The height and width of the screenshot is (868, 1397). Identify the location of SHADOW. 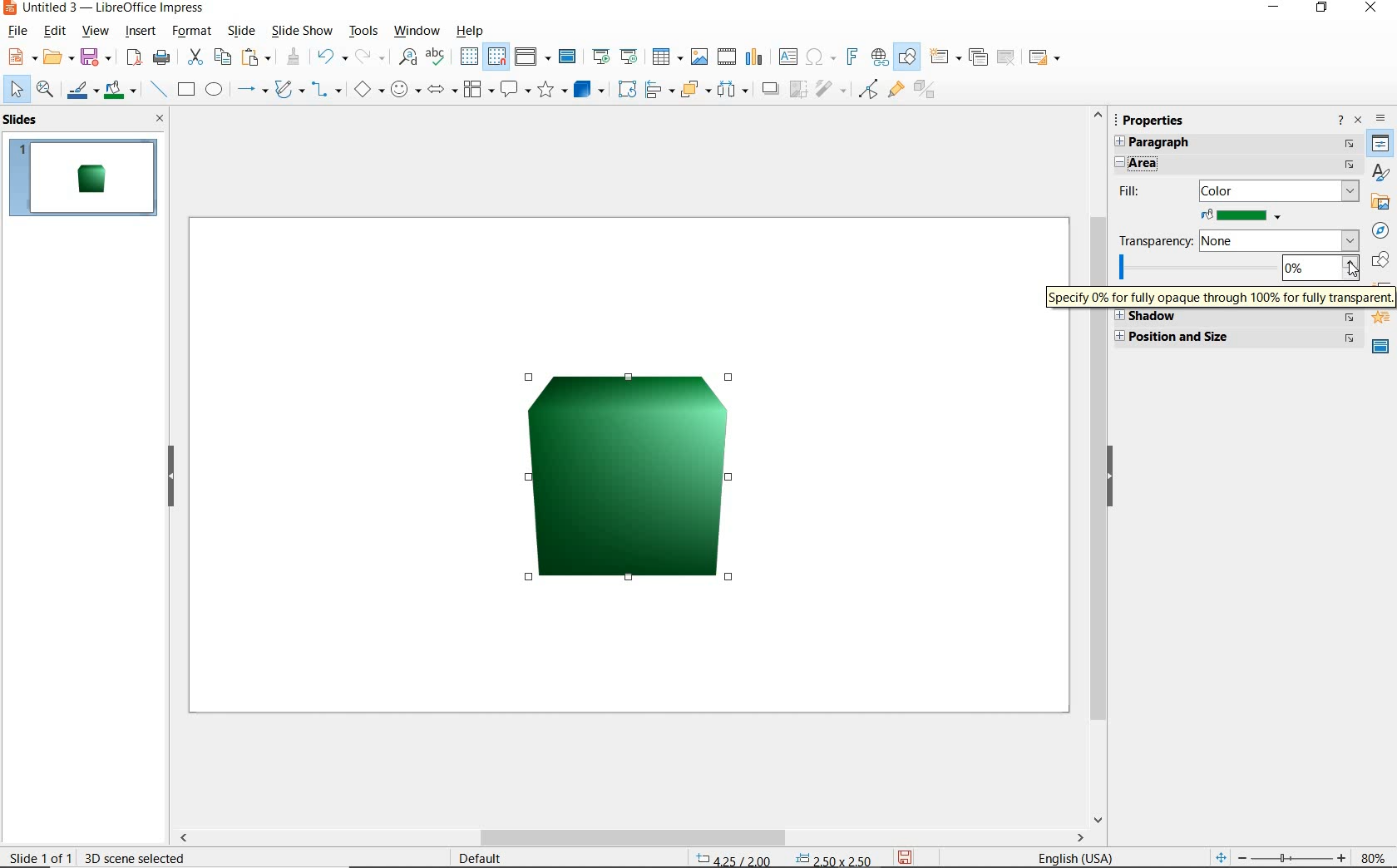
(1237, 318).